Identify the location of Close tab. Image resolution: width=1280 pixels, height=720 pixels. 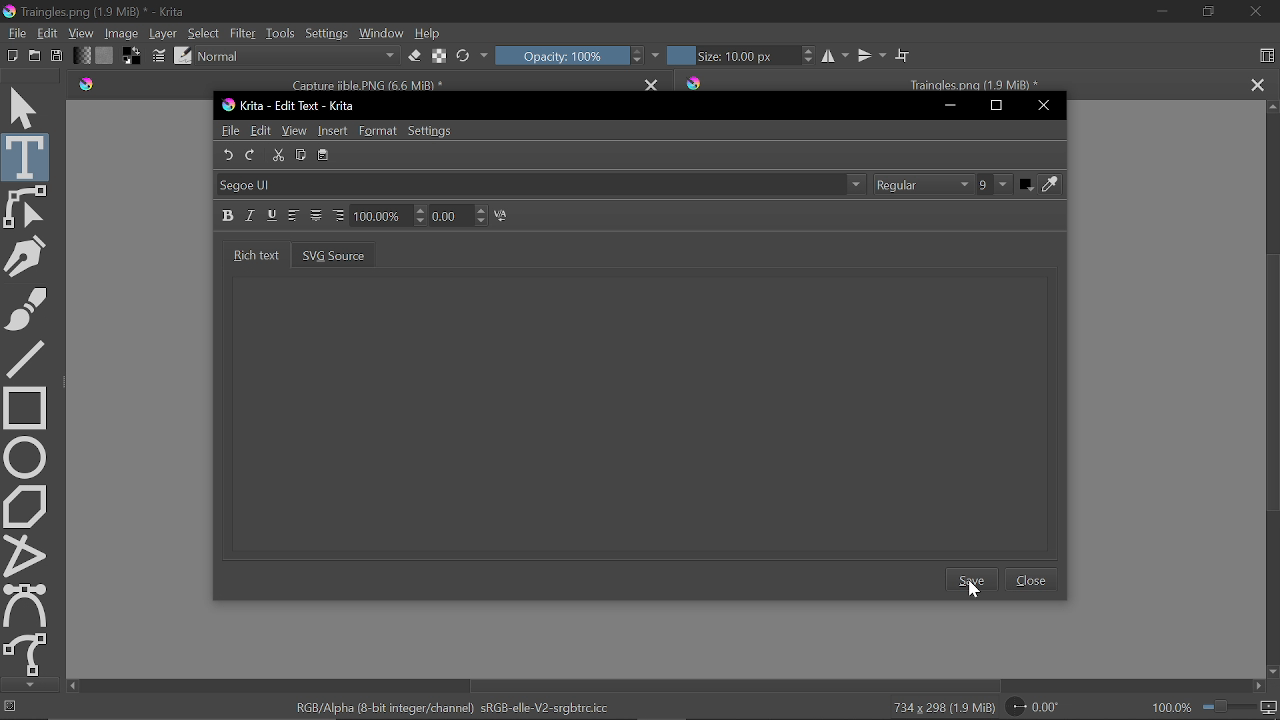
(653, 82).